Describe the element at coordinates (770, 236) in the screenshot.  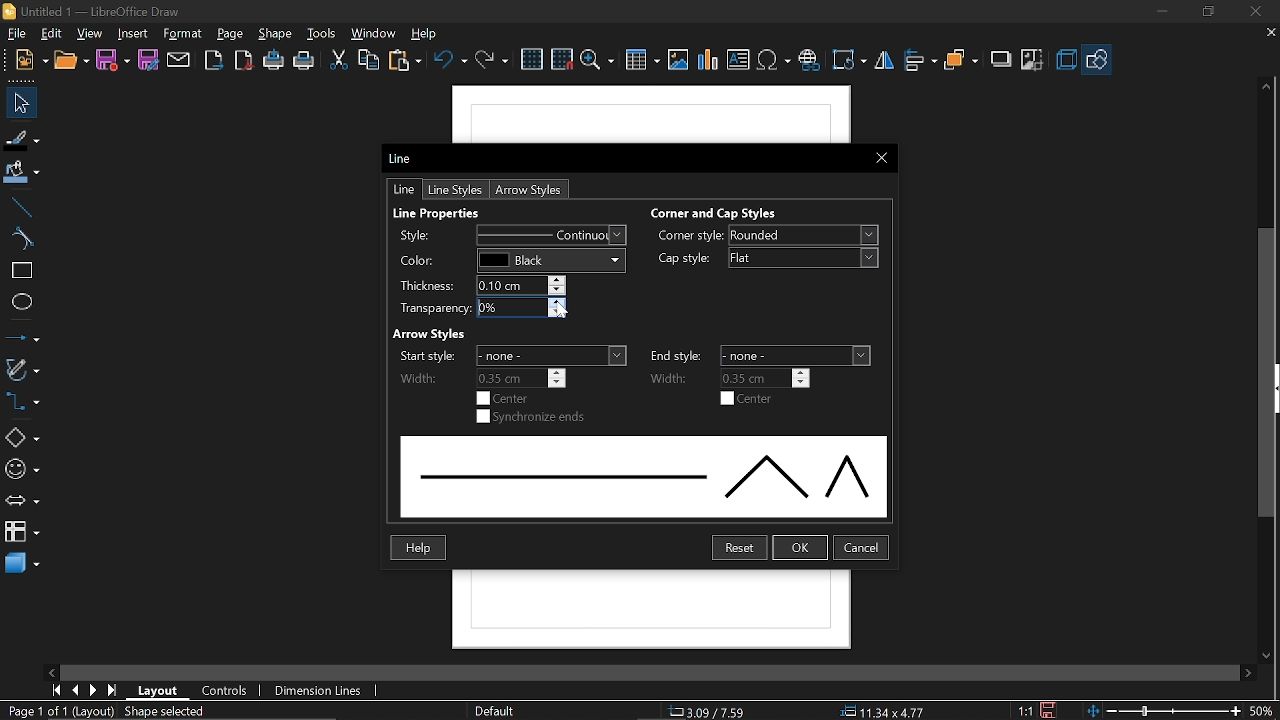
I see `Corner style` at that location.